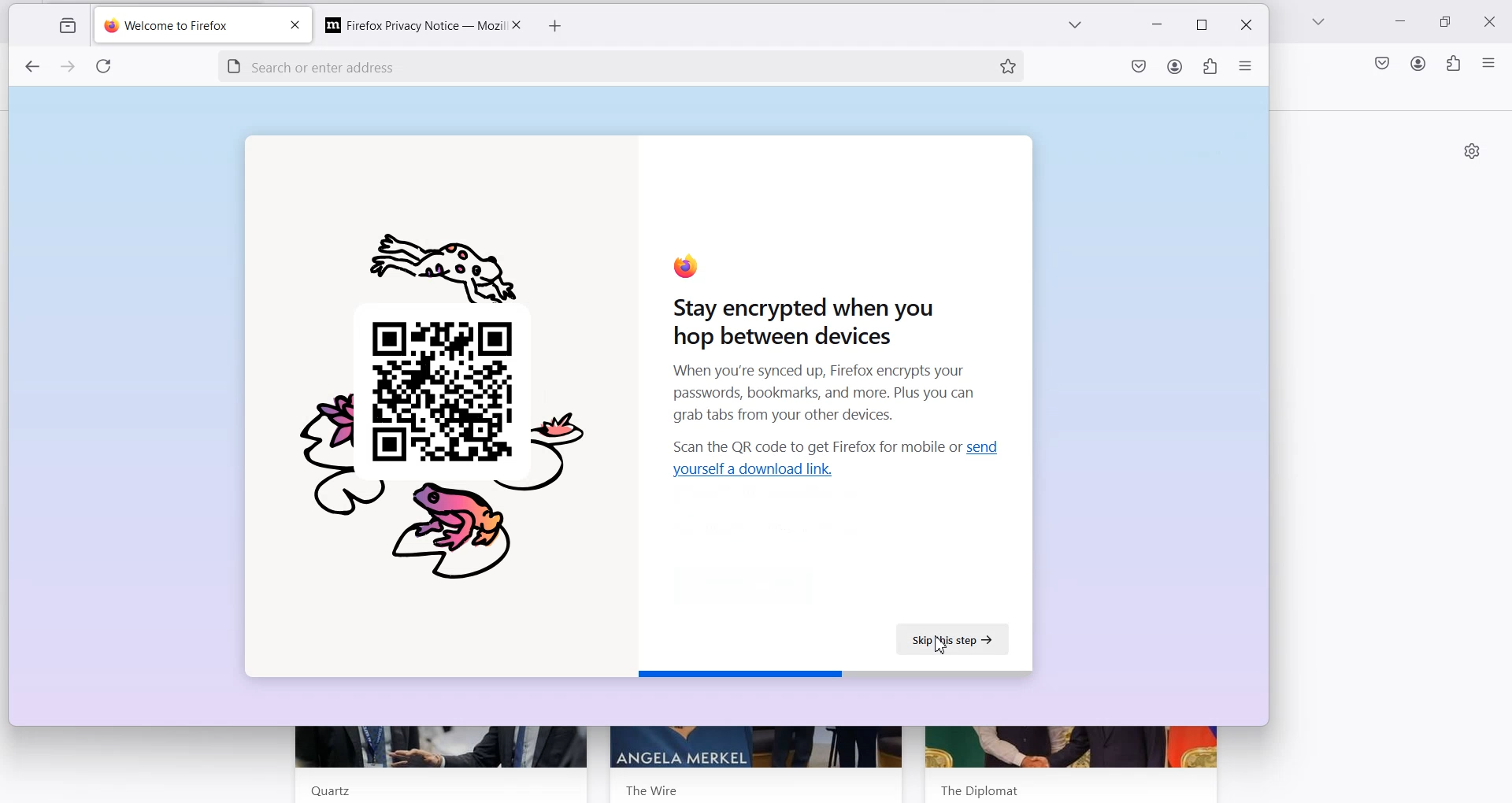 The height and width of the screenshot is (803, 1512). Describe the element at coordinates (1402, 24) in the screenshot. I see `Minimize` at that location.